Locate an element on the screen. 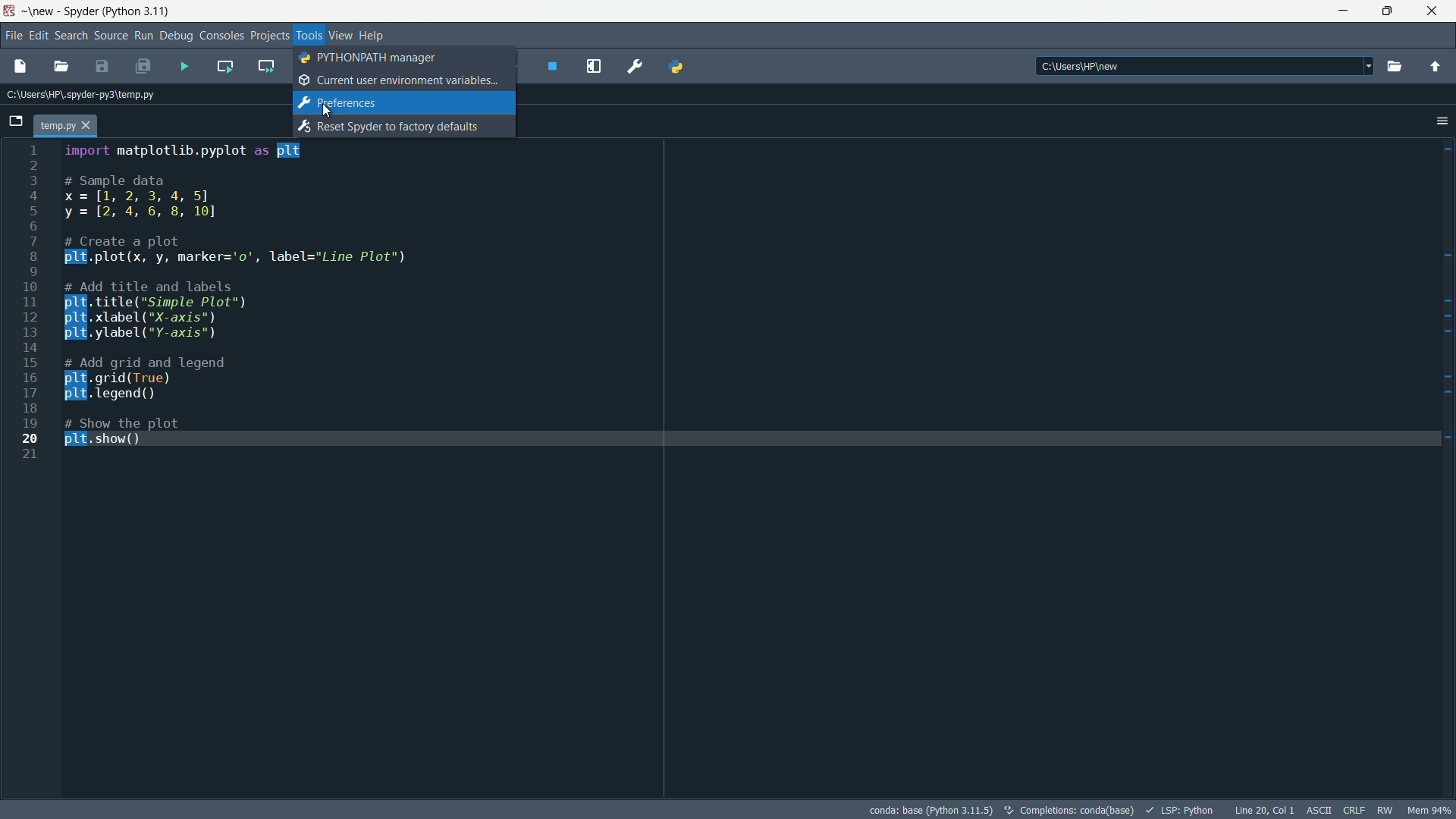 Image resolution: width=1456 pixels, height=819 pixels. save file is located at coordinates (103, 67).